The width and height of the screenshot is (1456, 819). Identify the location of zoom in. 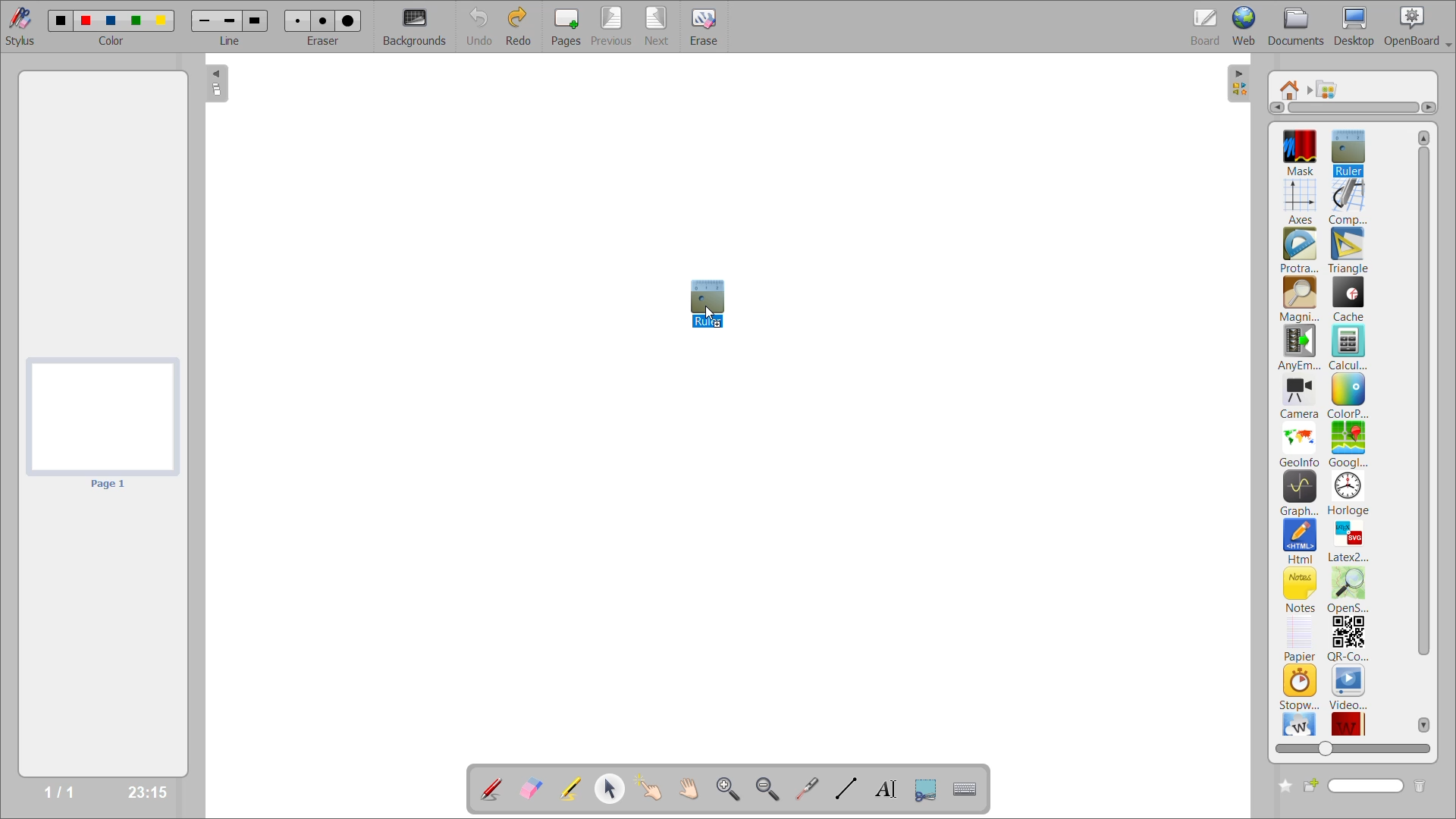
(731, 789).